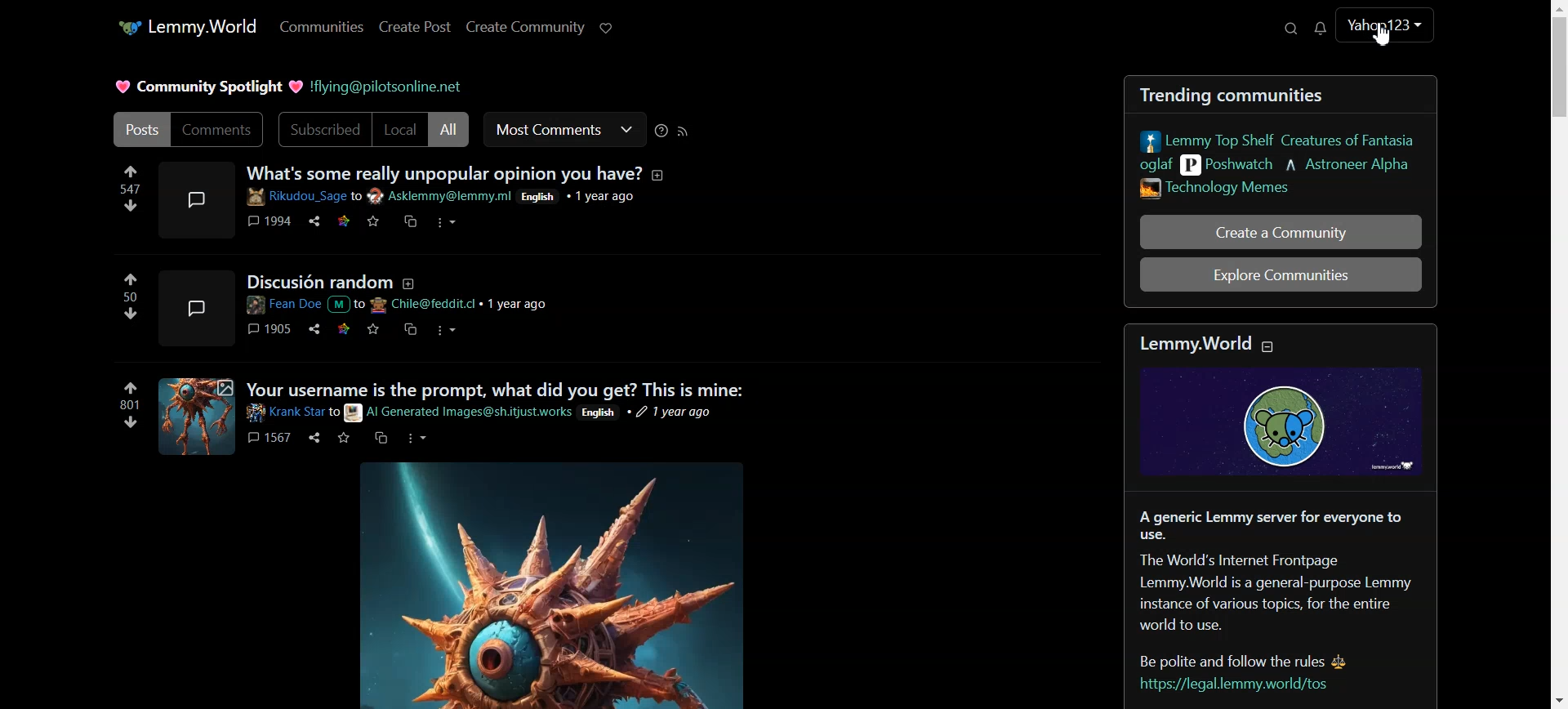  Describe the element at coordinates (525, 27) in the screenshot. I see `Create Post` at that location.